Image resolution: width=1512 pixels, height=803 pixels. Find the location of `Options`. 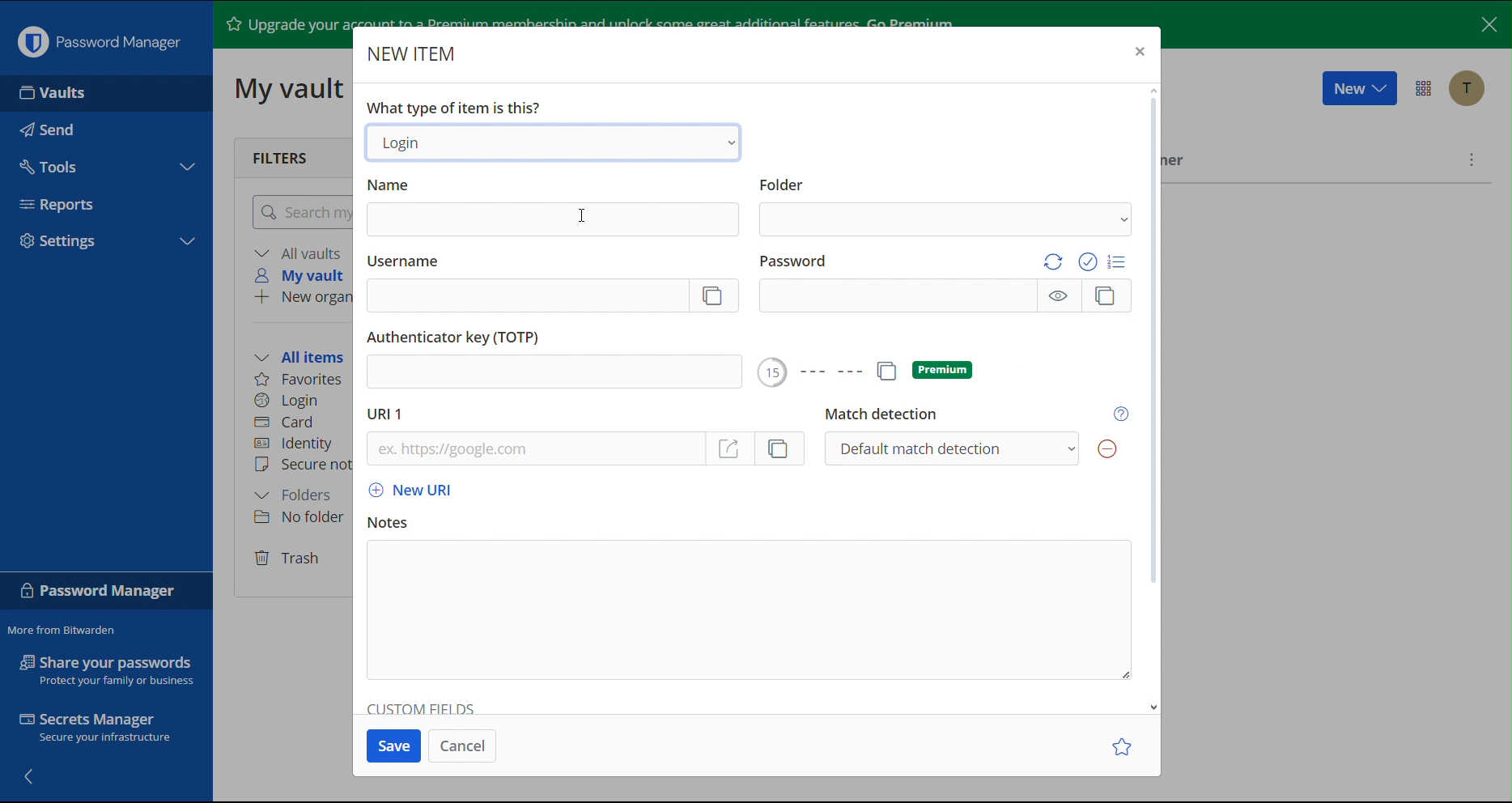

Options is located at coordinates (1426, 87).